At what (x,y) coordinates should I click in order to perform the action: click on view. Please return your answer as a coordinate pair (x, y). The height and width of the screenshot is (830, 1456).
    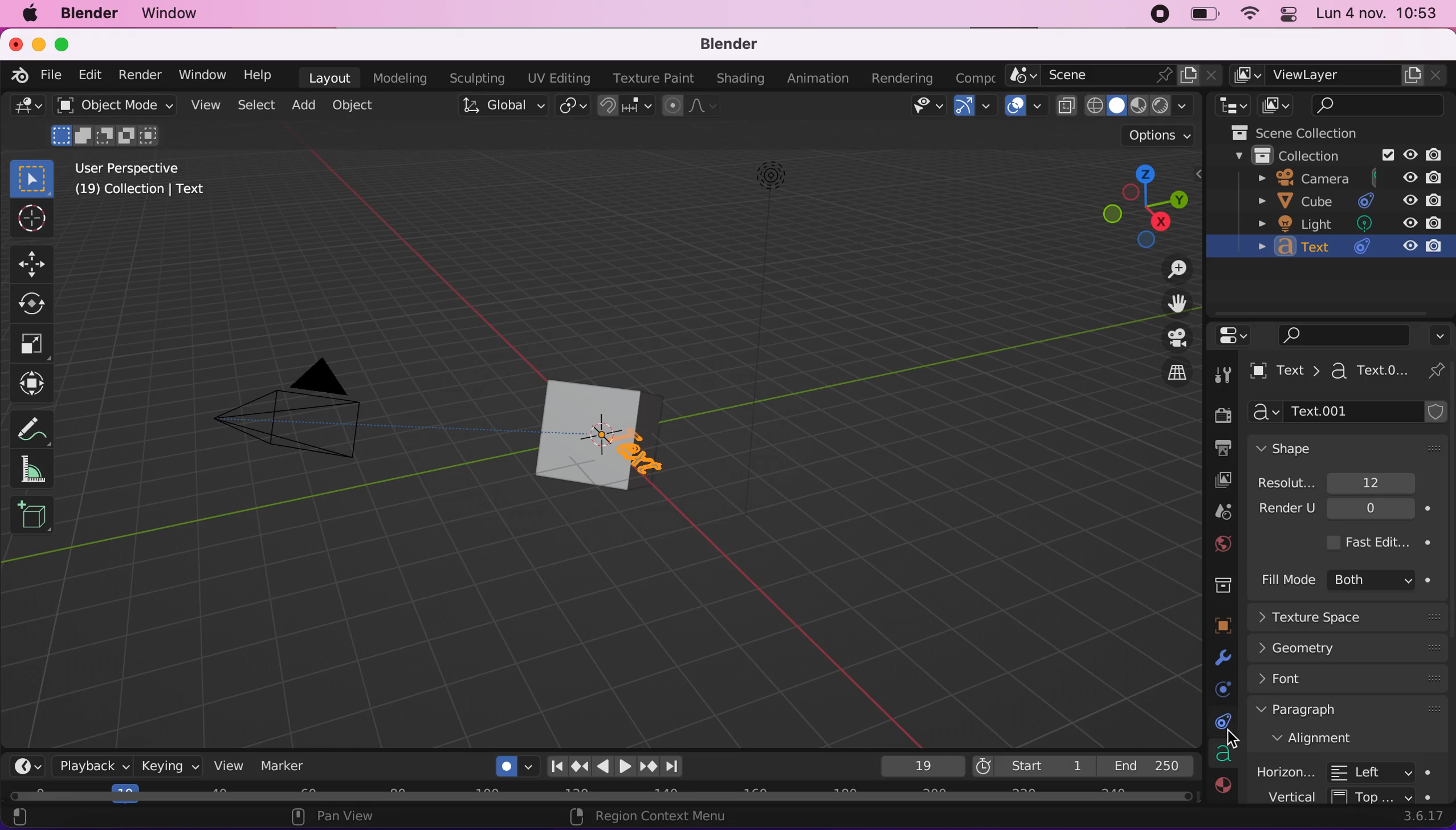
    Looking at the image, I should click on (209, 108).